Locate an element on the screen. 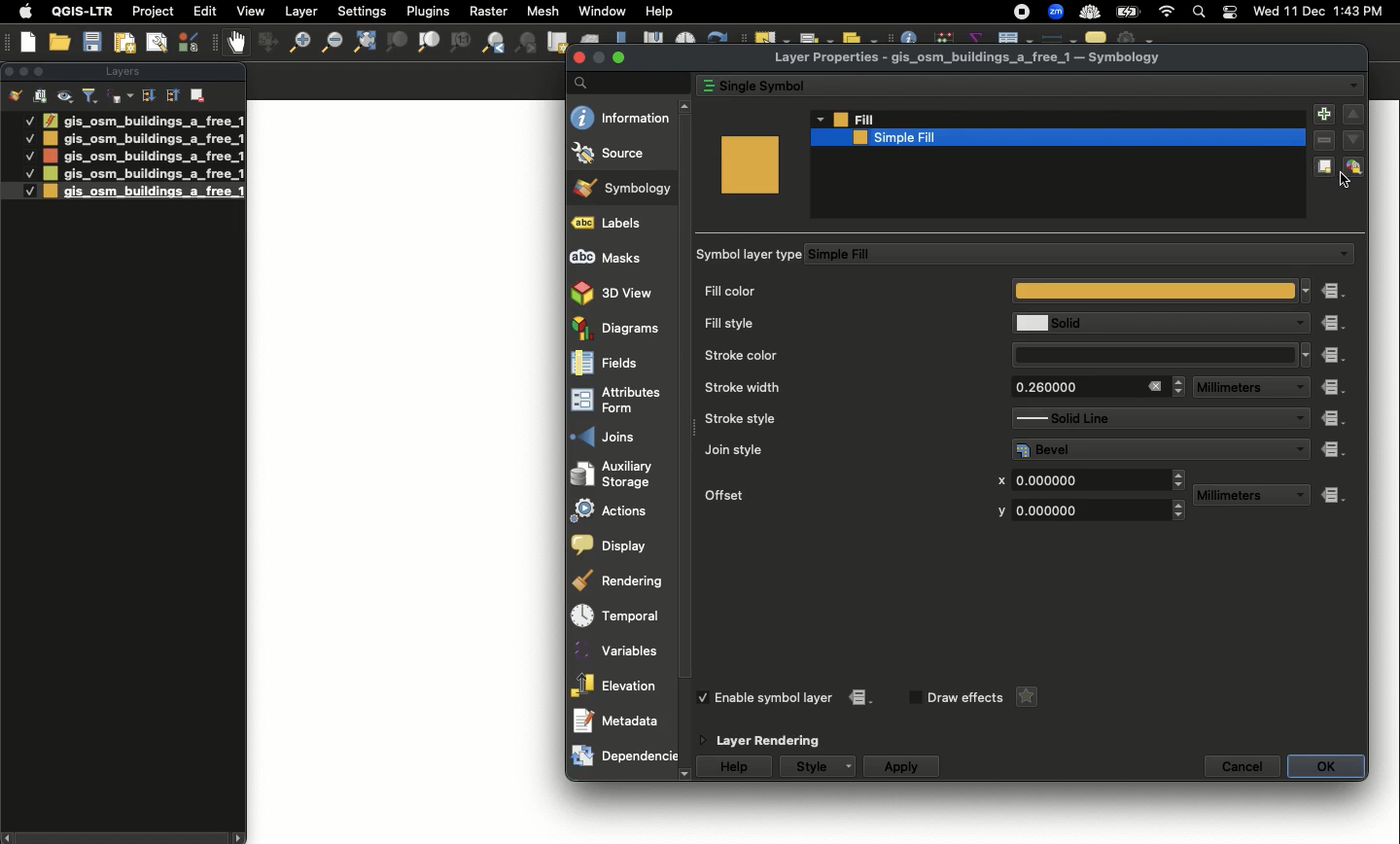  Layer is located at coordinates (302, 12).